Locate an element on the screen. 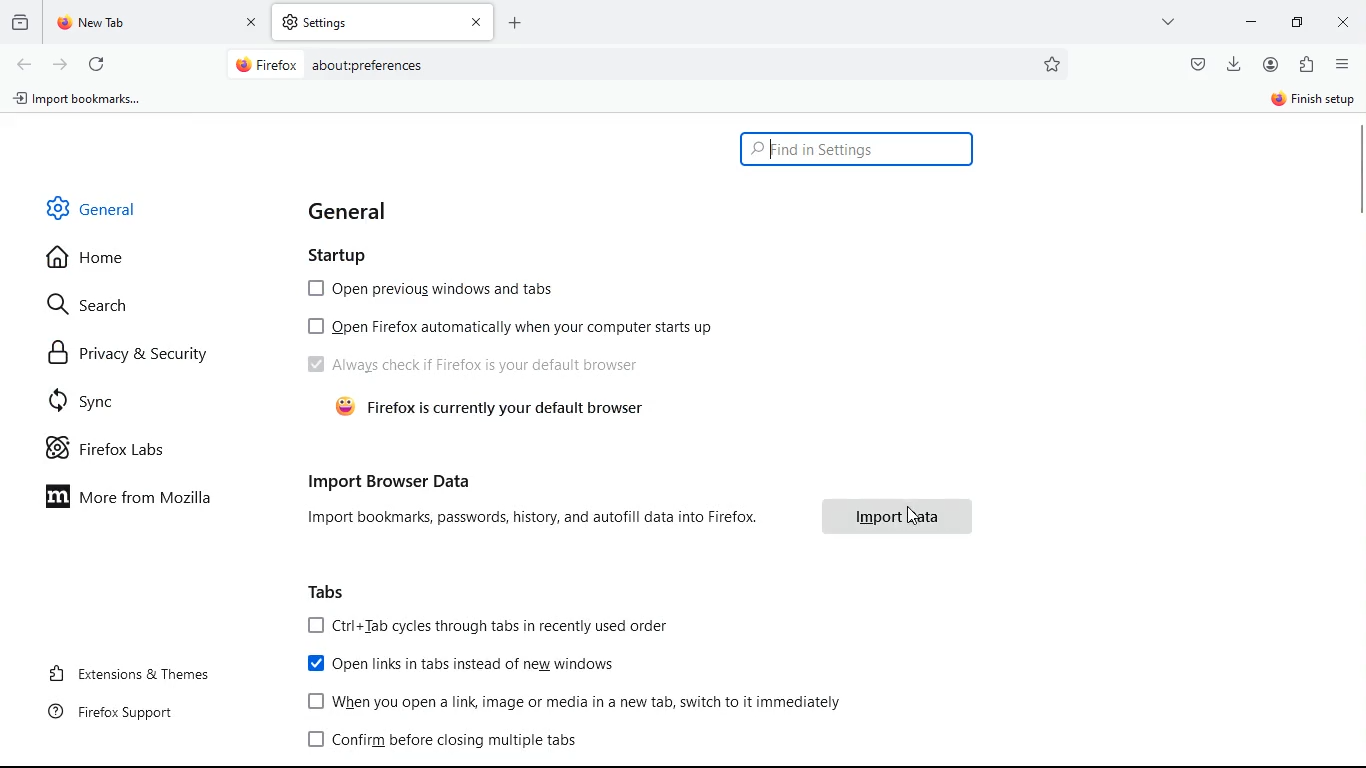  Import bookmarks, passwords, history, and autofill data into Firefox. is located at coordinates (534, 516).